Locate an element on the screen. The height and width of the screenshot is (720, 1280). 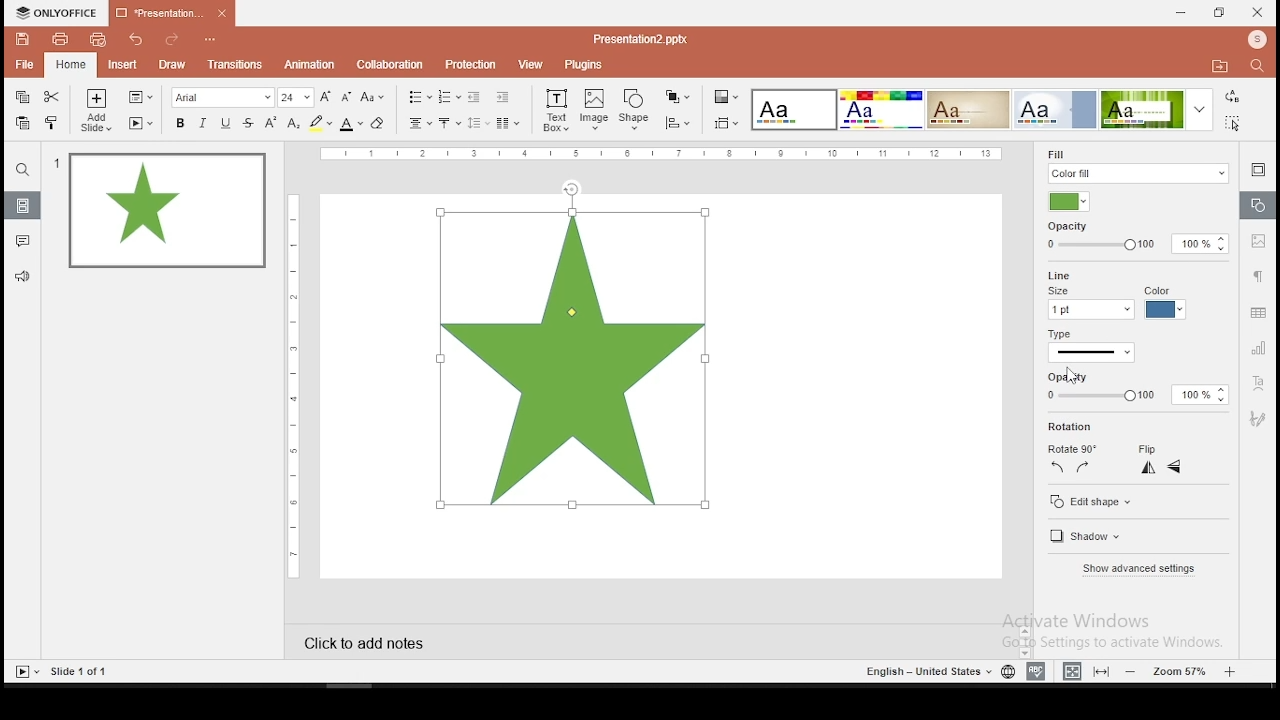
spell check is located at coordinates (1039, 669).